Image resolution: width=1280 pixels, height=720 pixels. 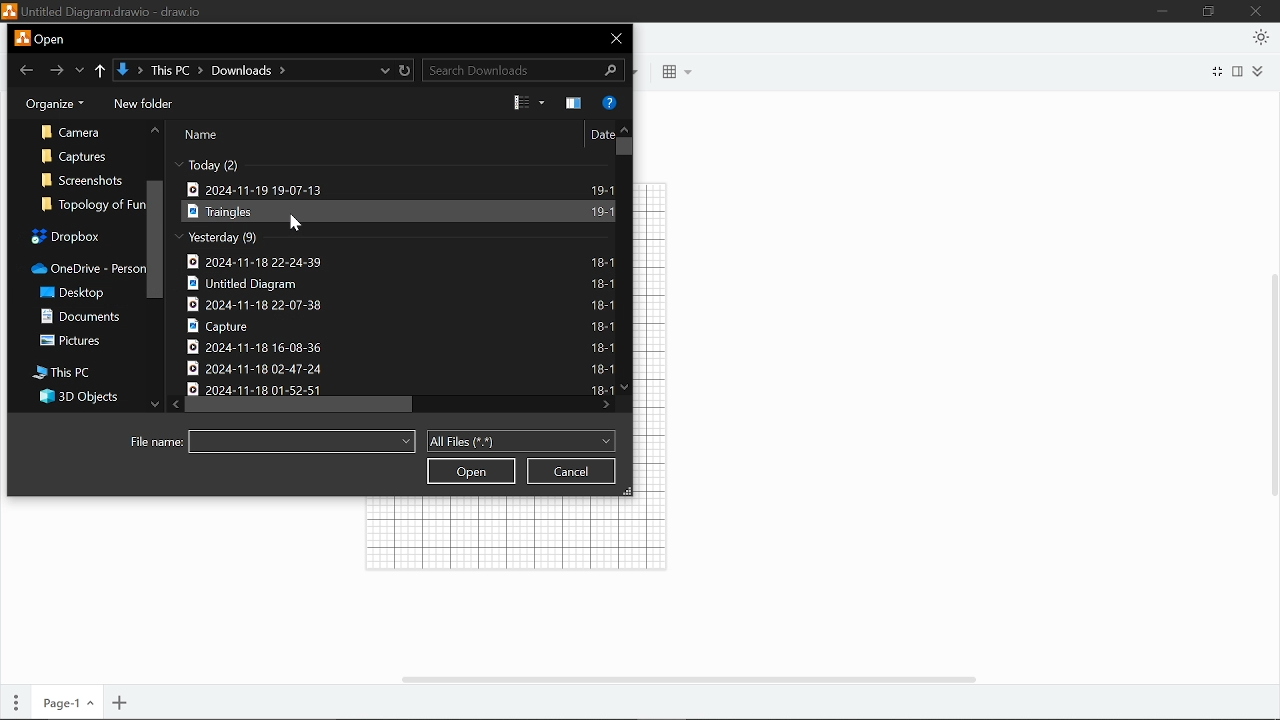 I want to click on Up to "This pc", so click(x=101, y=70).